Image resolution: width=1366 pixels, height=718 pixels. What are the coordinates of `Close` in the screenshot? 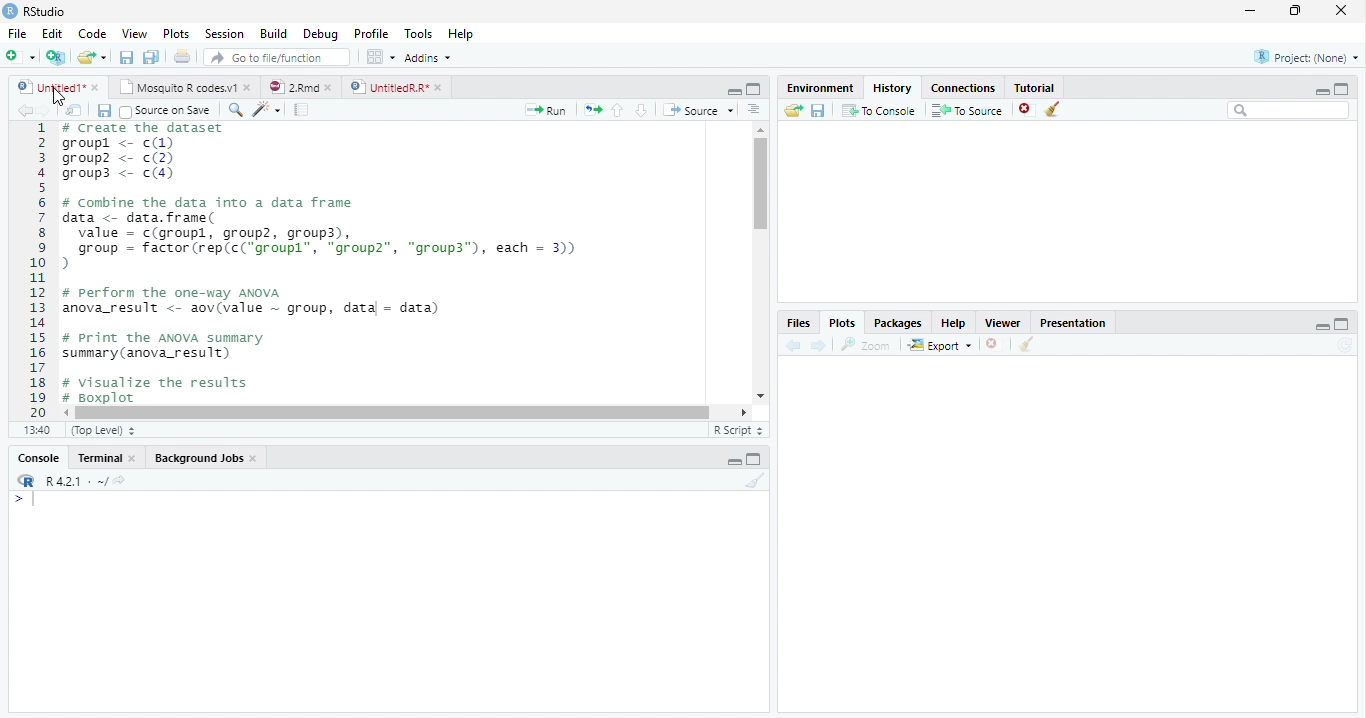 It's located at (1339, 12).